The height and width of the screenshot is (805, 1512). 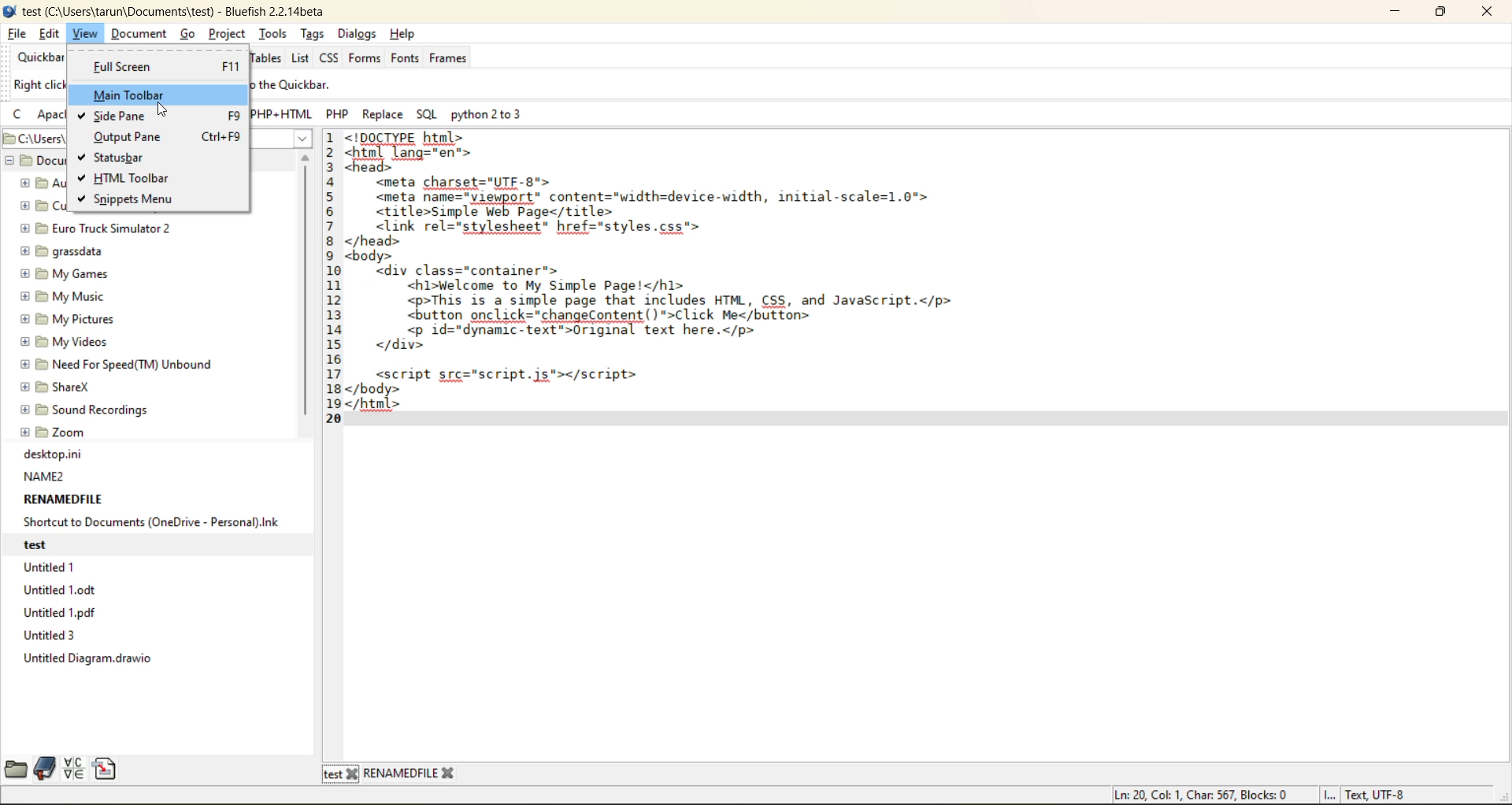 What do you see at coordinates (116, 364) in the screenshot?
I see `# 9 Need For Speed(TM) Unbound` at bounding box center [116, 364].